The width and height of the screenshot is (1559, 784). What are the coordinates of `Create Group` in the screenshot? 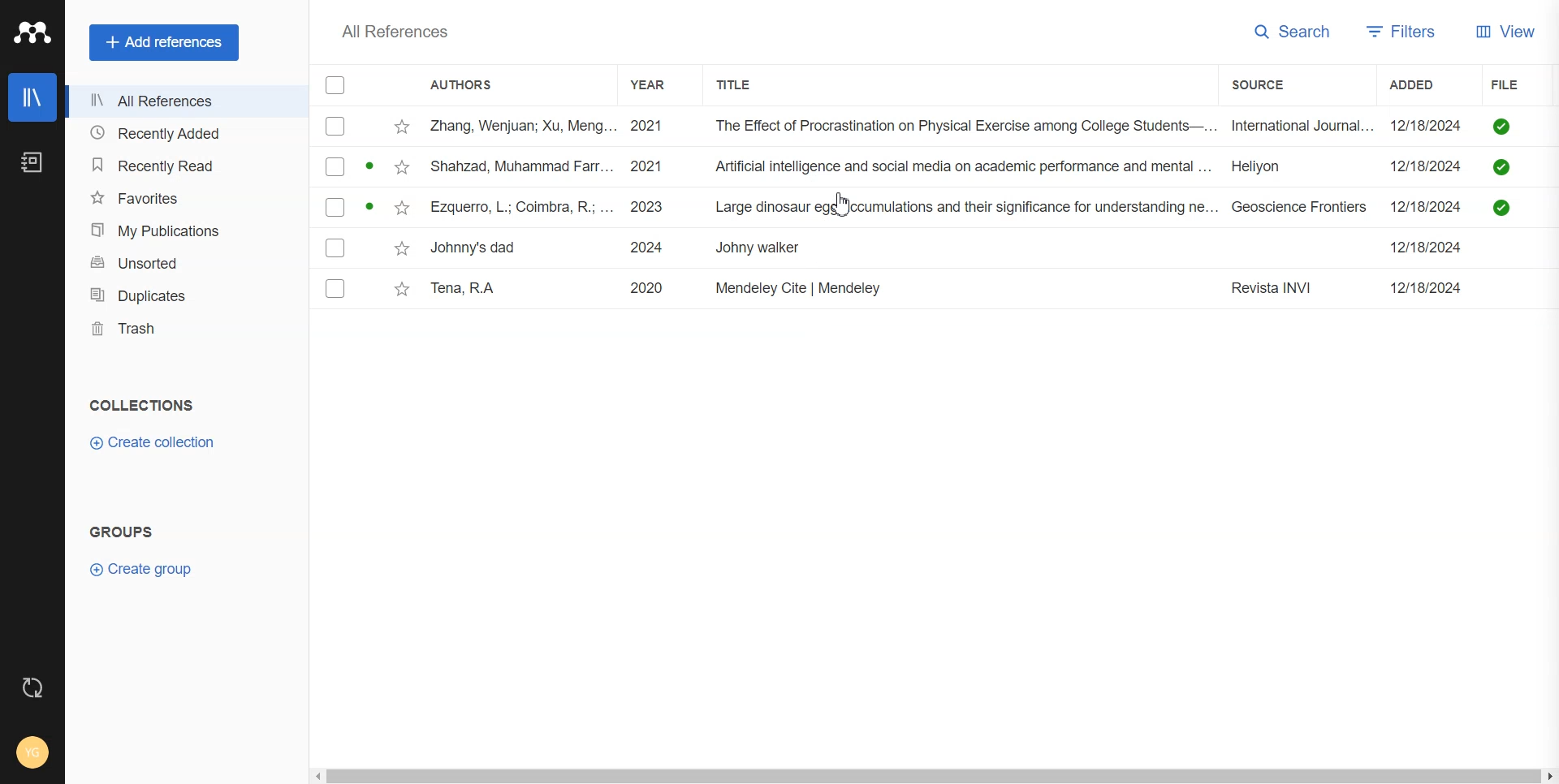 It's located at (142, 569).